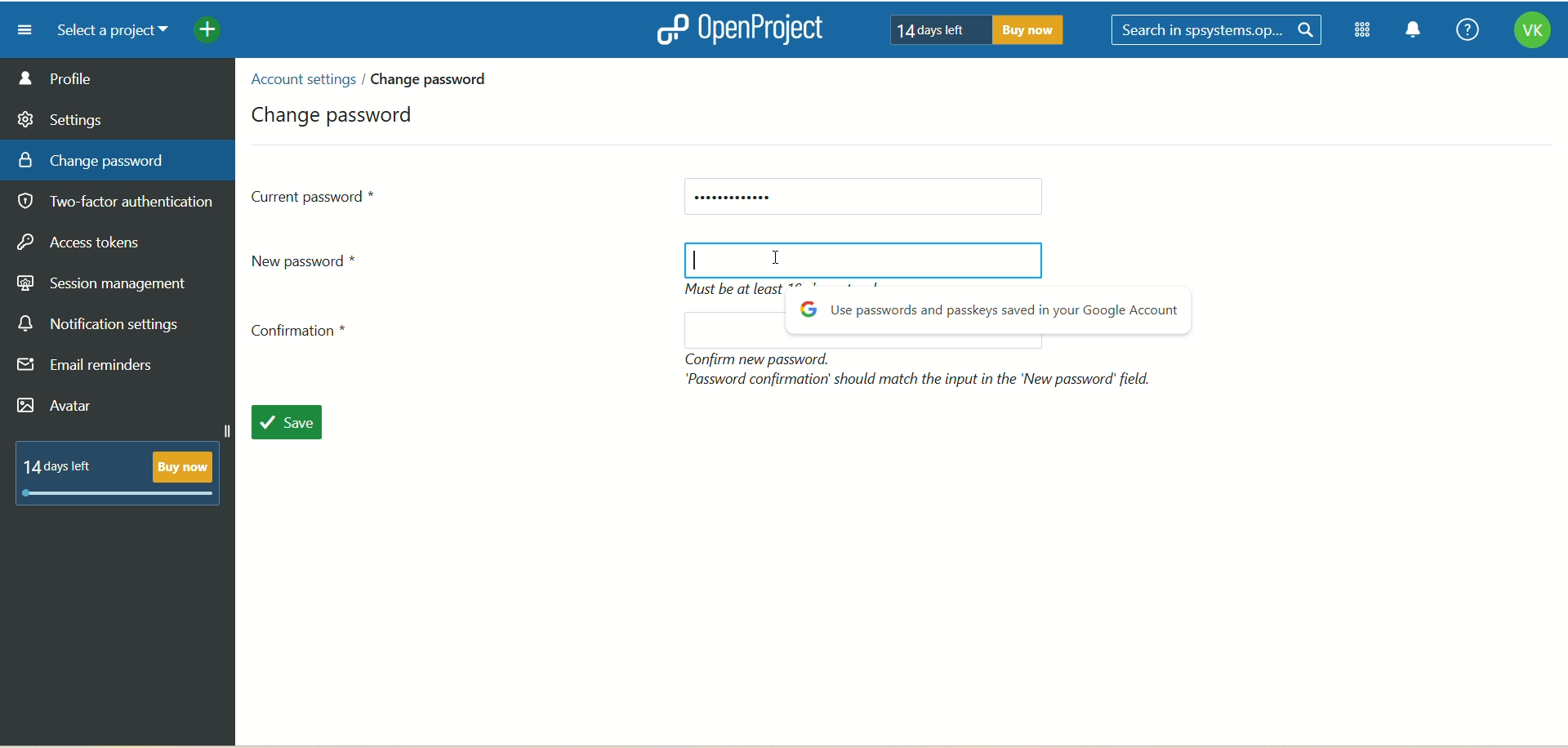 This screenshot has height=748, width=1568. What do you see at coordinates (1414, 32) in the screenshot?
I see `notification` at bounding box center [1414, 32].